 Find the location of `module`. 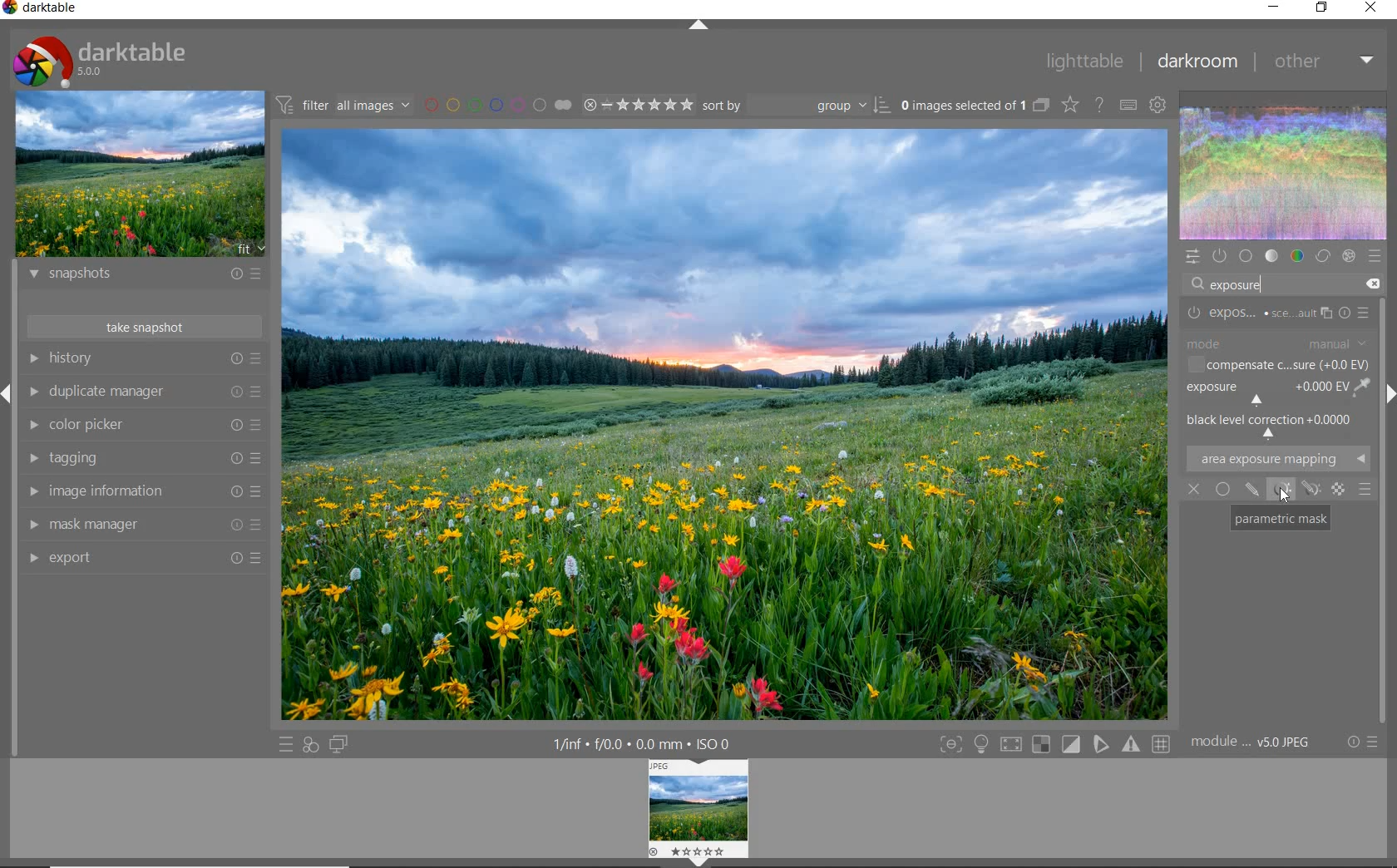

module is located at coordinates (1251, 742).